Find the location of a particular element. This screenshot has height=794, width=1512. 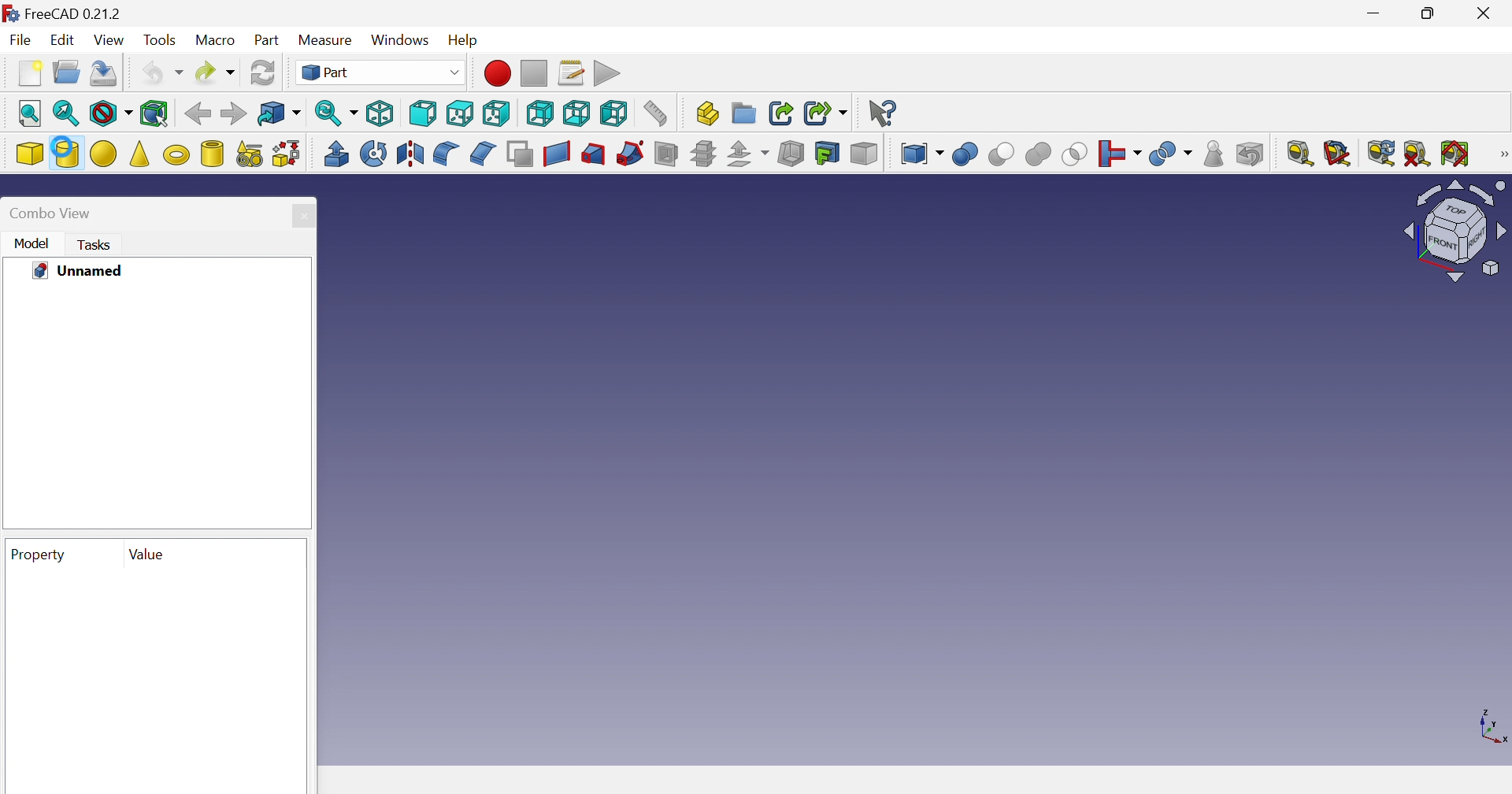

Front is located at coordinates (421, 113).